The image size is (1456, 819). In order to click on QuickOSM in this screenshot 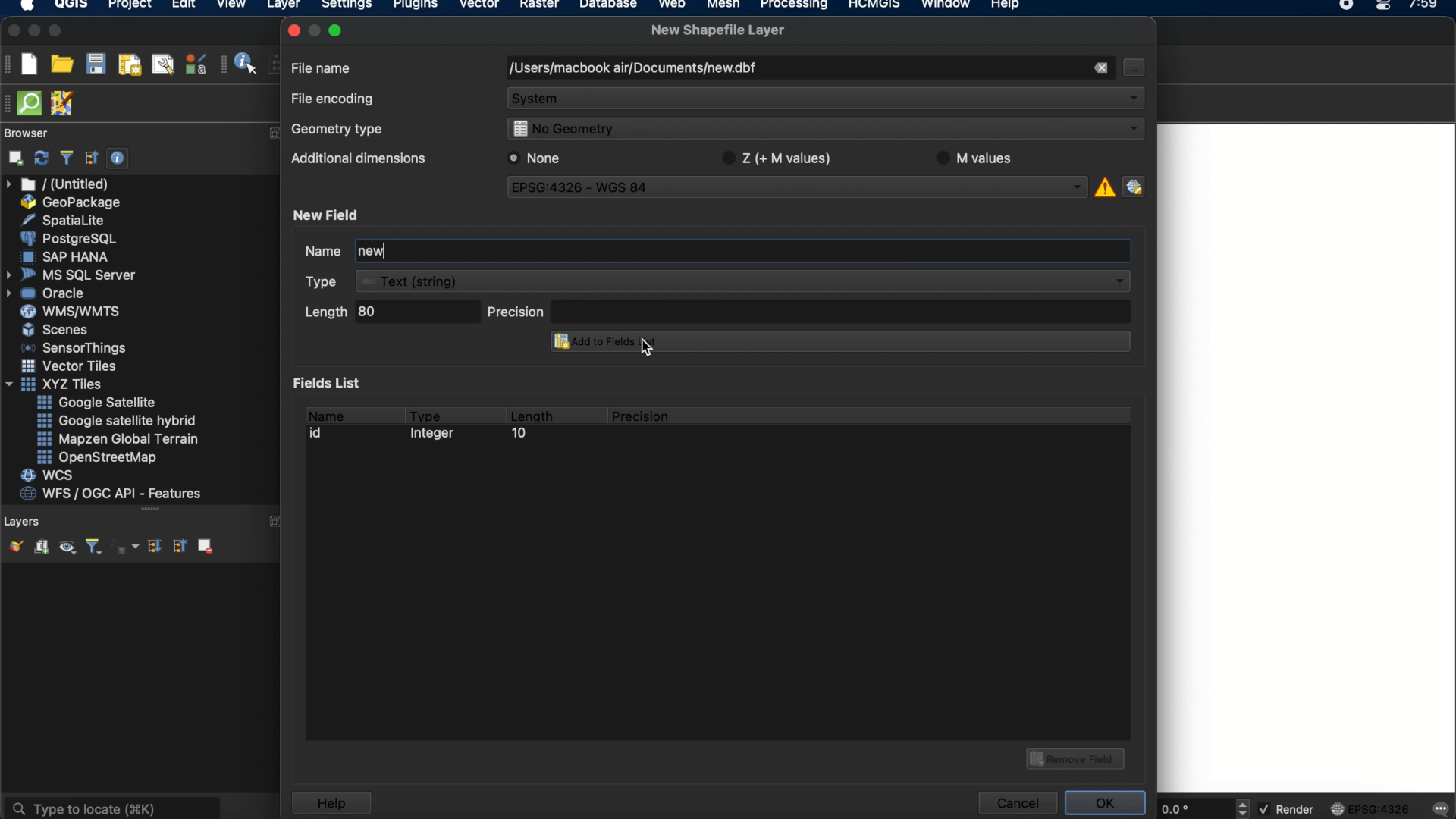, I will do `click(33, 103)`.